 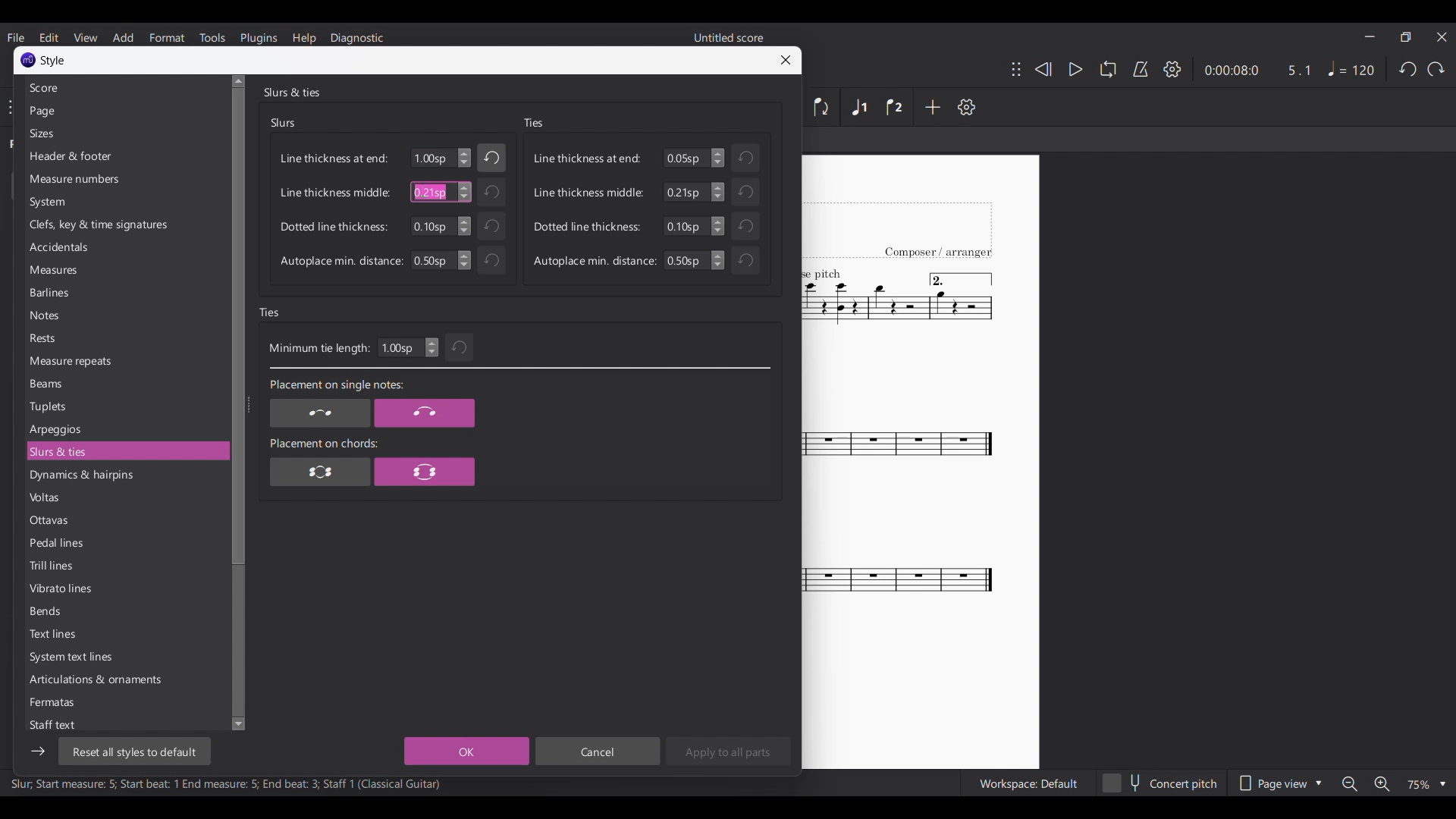 I want to click on Play, so click(x=1069, y=69).